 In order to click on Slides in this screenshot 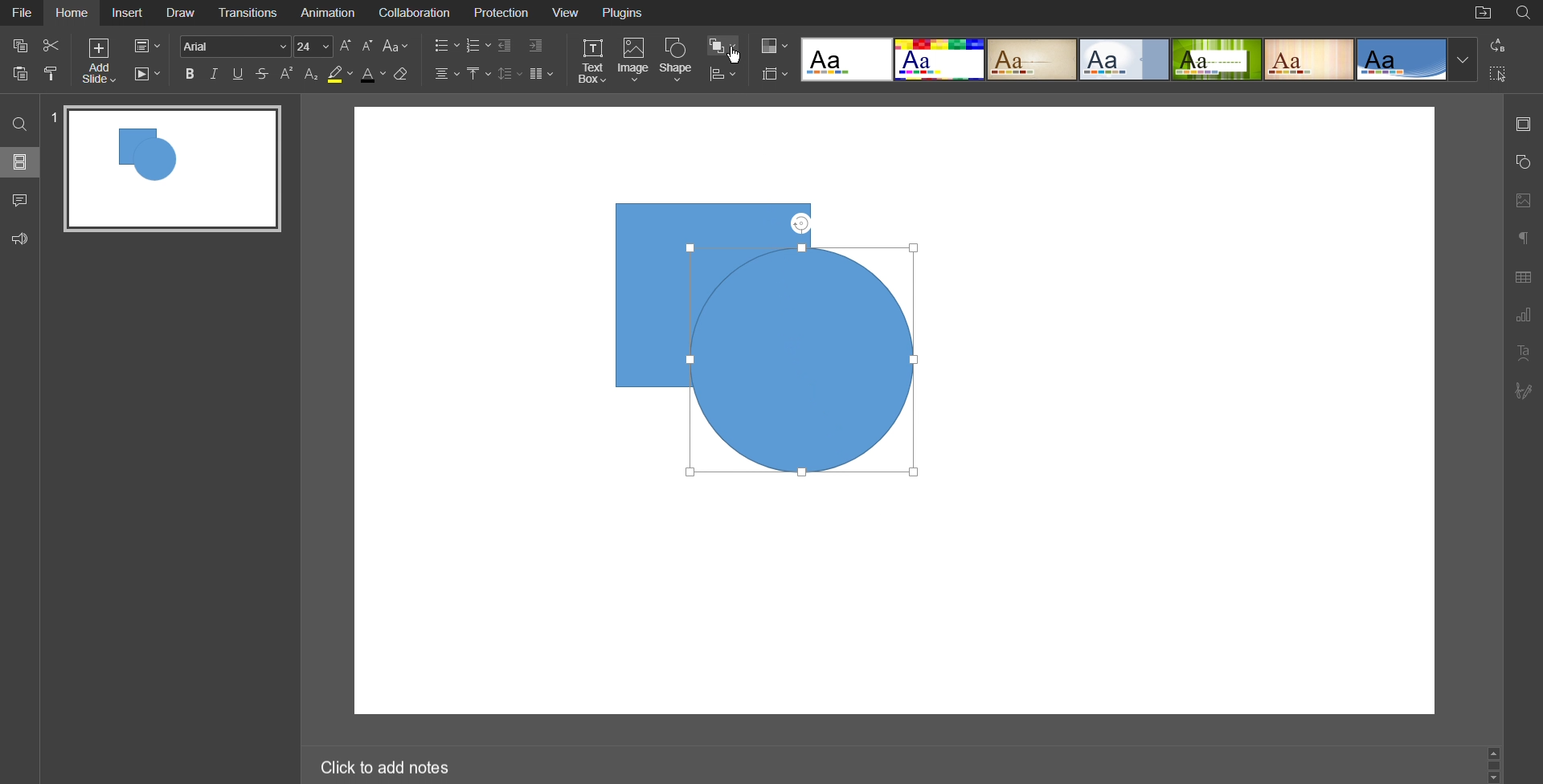, I will do `click(18, 161)`.